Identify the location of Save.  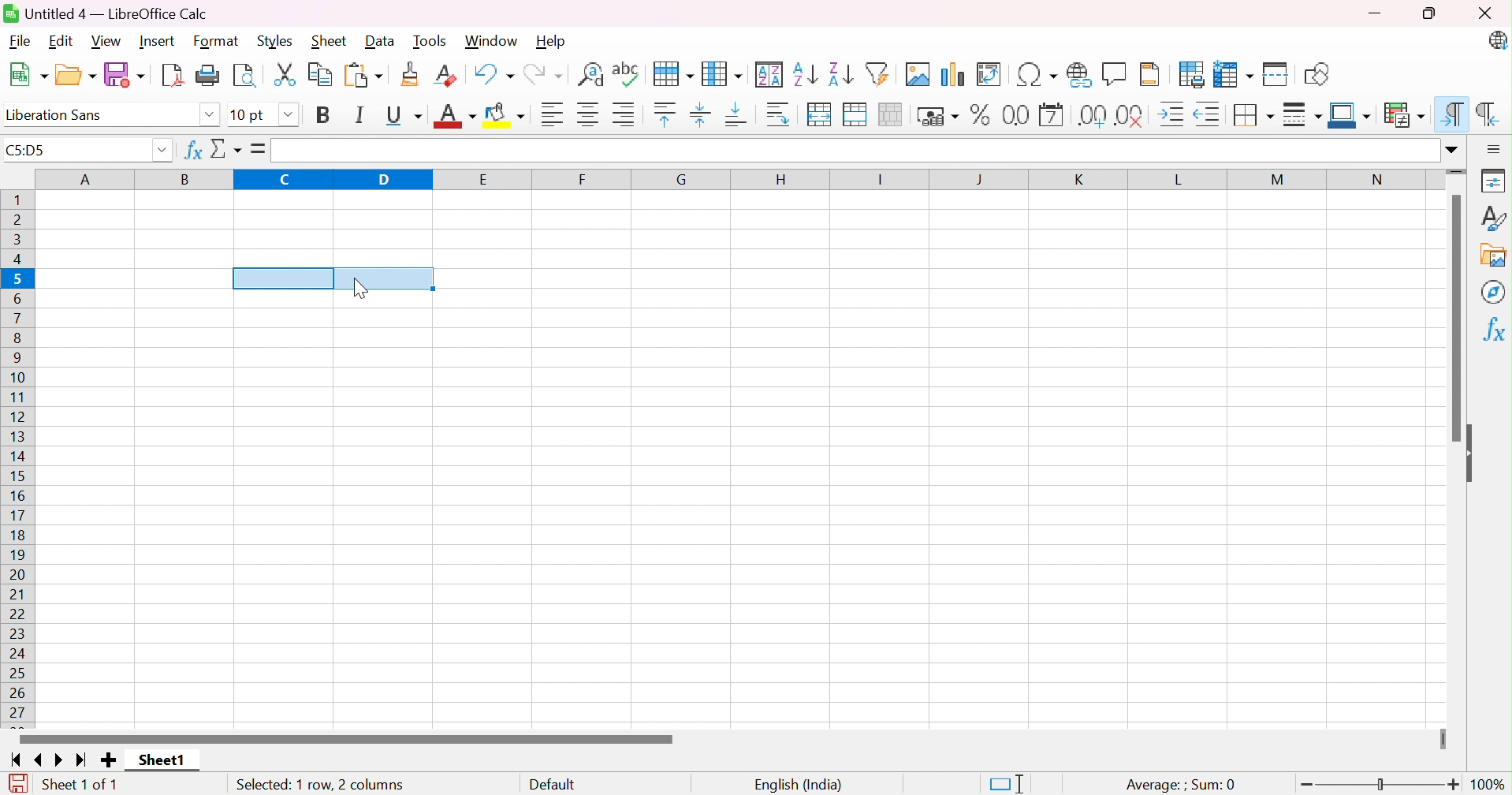
(125, 74).